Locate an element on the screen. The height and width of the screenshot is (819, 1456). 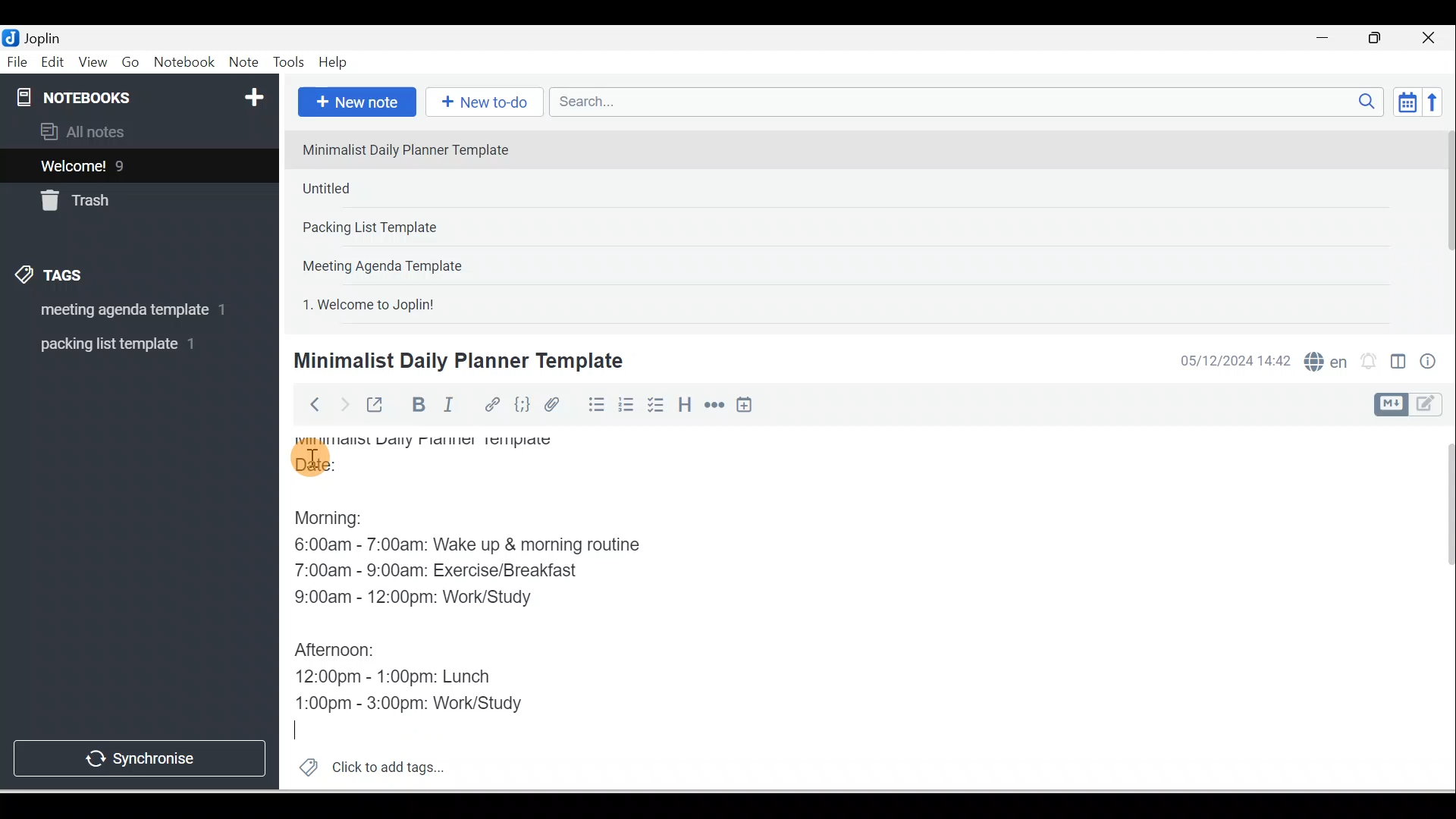
Horizontal rule is located at coordinates (716, 405).